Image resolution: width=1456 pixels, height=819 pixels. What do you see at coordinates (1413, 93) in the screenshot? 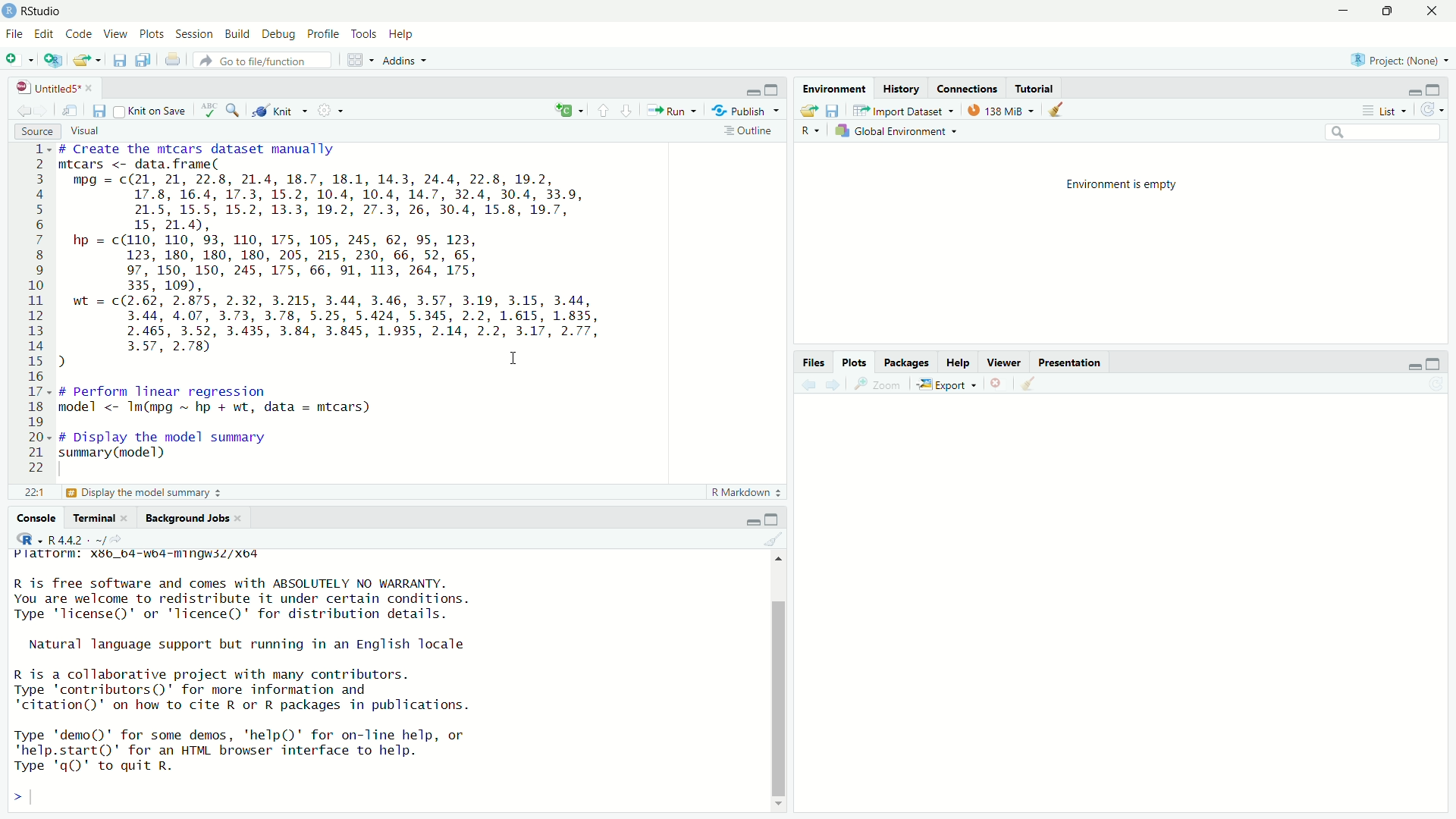
I see `minimize` at bounding box center [1413, 93].